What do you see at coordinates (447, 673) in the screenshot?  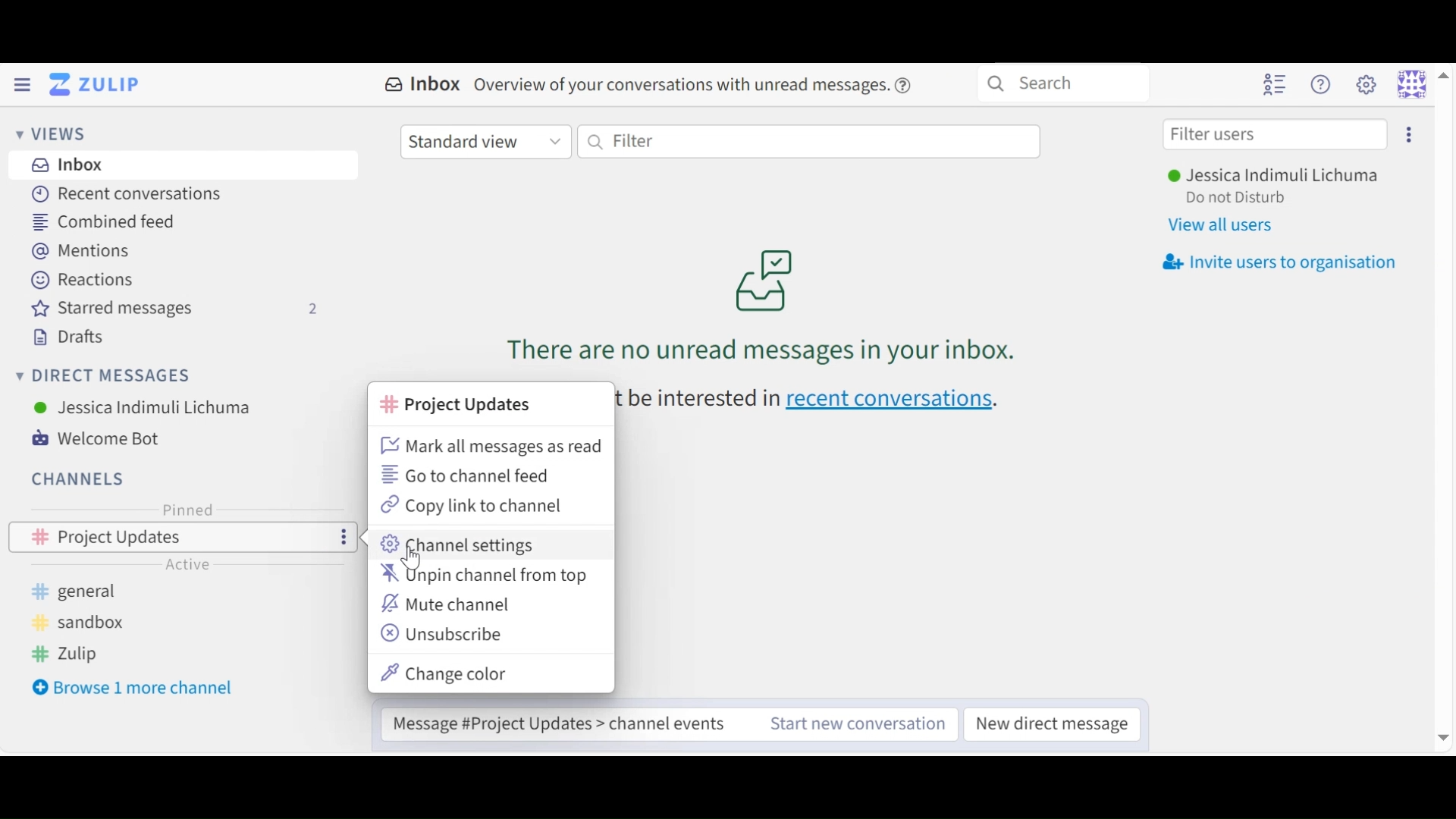 I see `Change color` at bounding box center [447, 673].